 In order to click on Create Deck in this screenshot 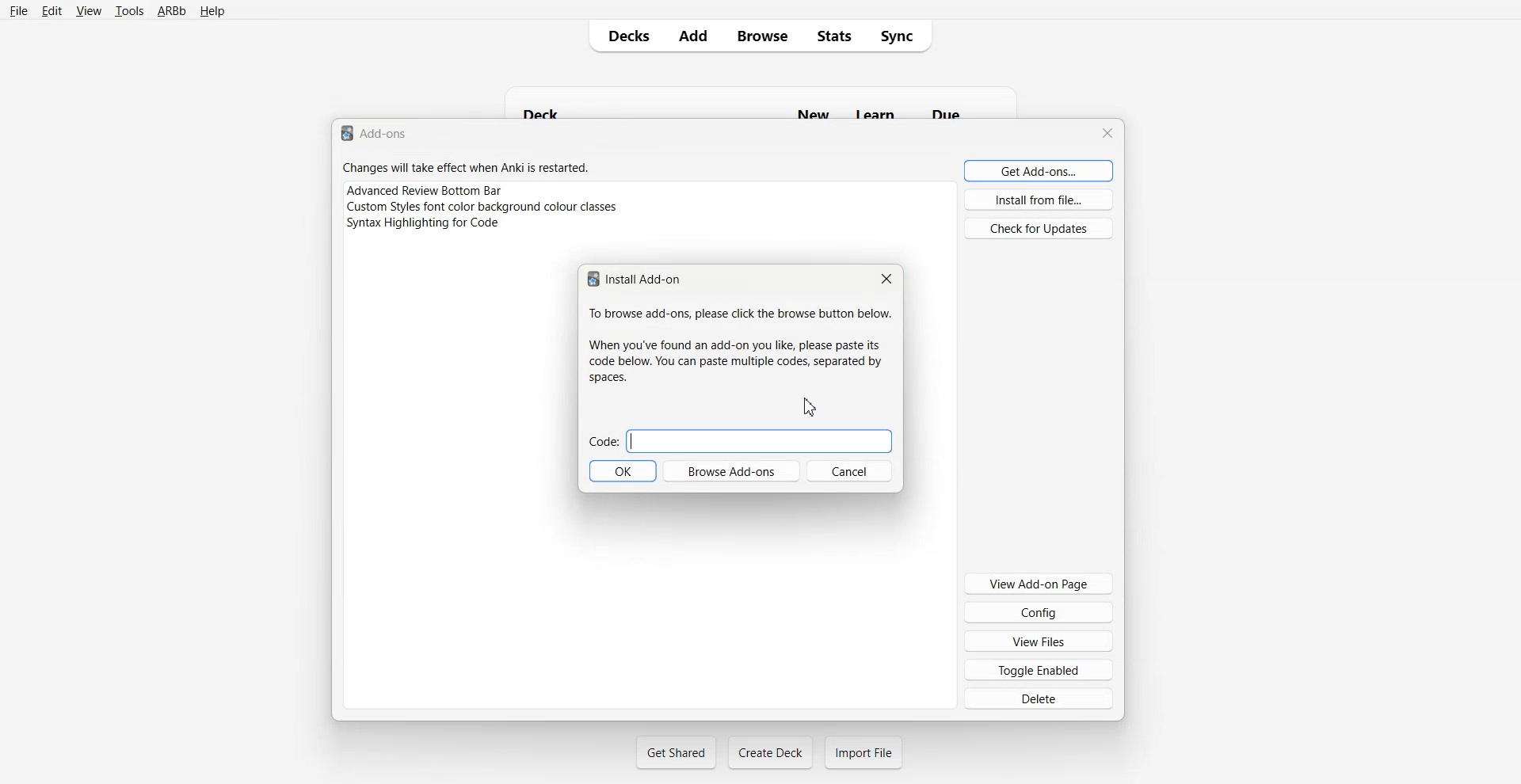, I will do `click(771, 753)`.